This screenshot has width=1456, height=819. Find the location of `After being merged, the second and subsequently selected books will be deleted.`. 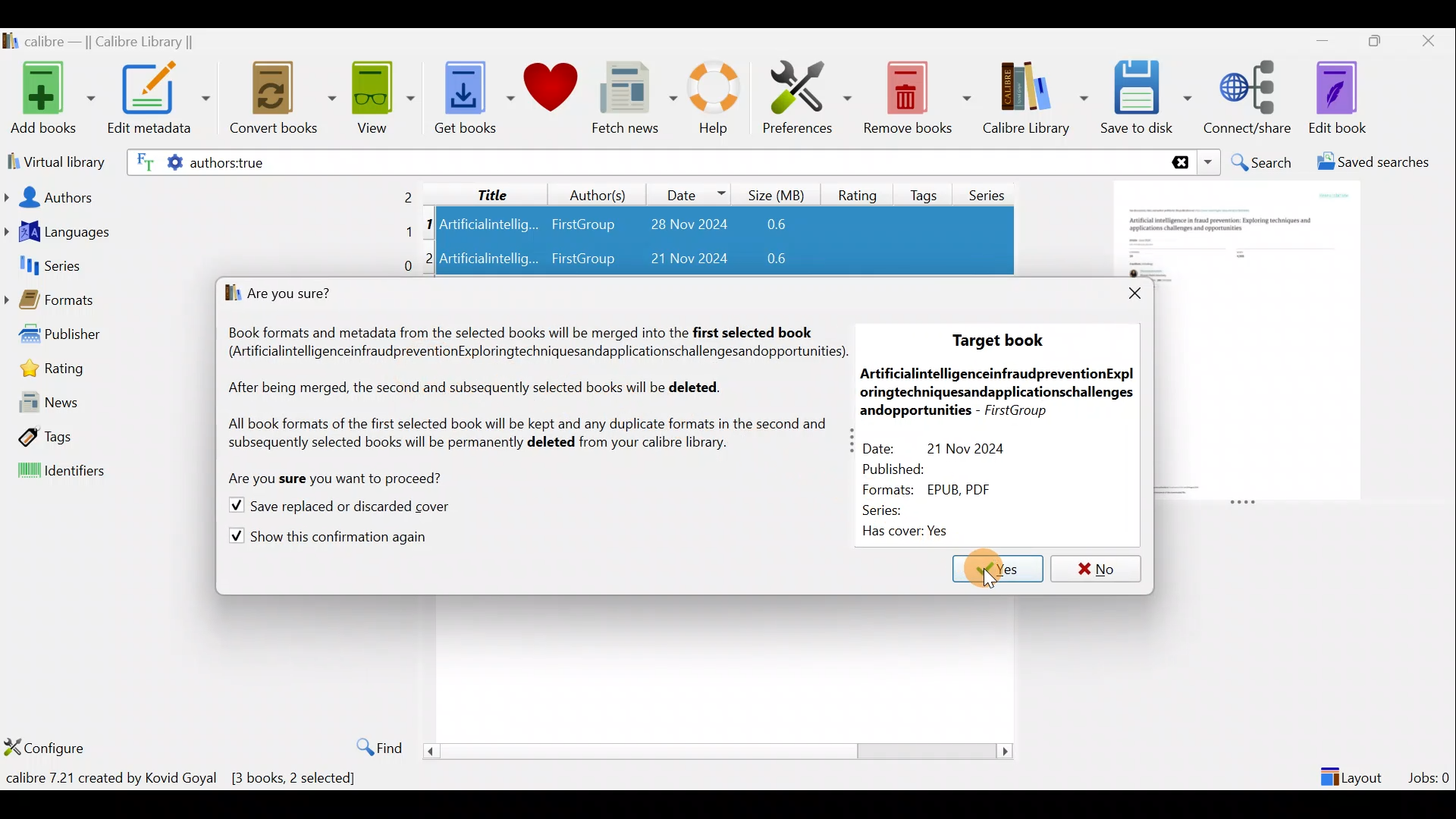

After being merged, the second and subsequently selected books will be deleted. is located at coordinates (483, 393).